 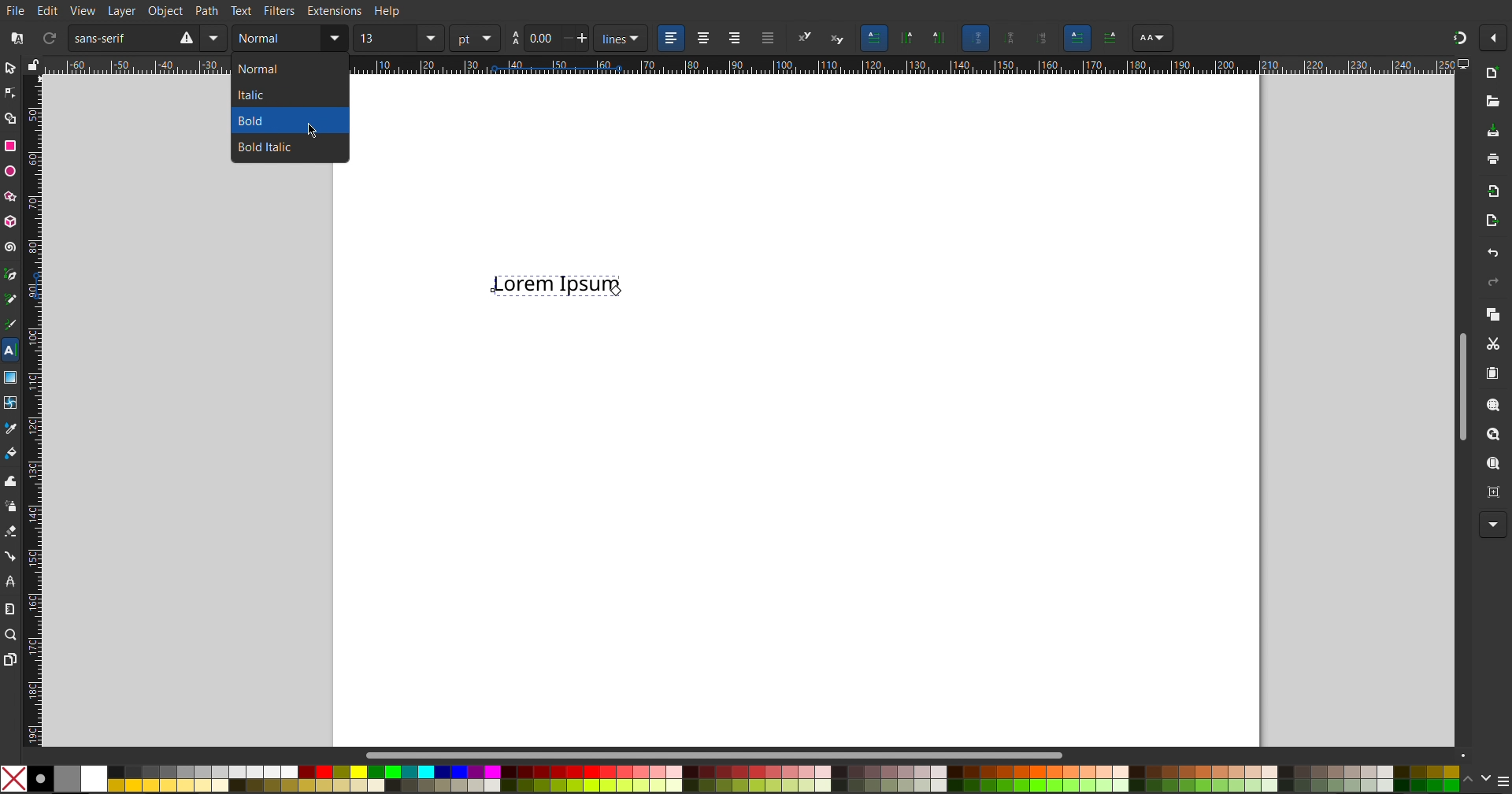 I want to click on auto glyph orientation, so click(x=975, y=38).